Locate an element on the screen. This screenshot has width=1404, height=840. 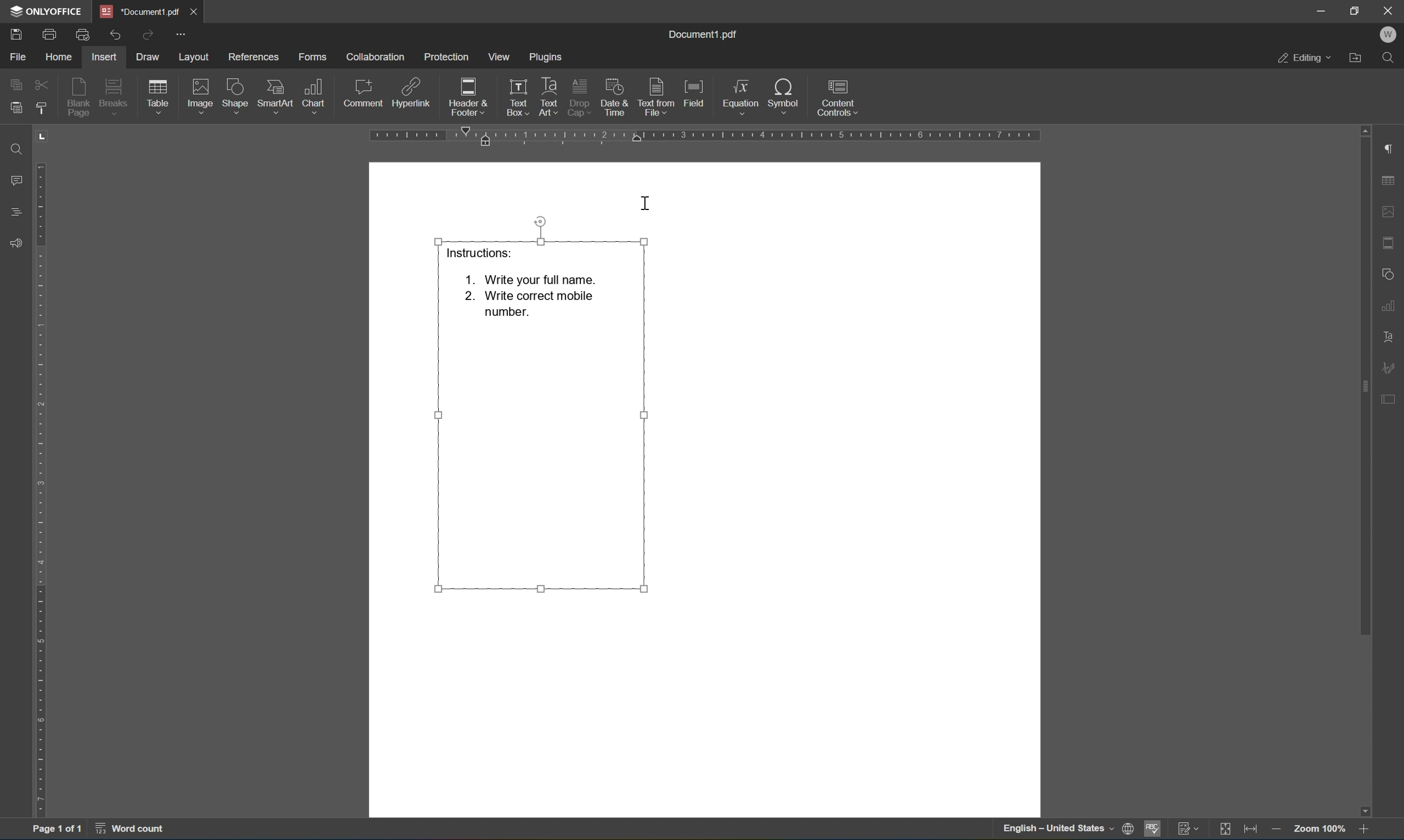
cursor is located at coordinates (644, 204).